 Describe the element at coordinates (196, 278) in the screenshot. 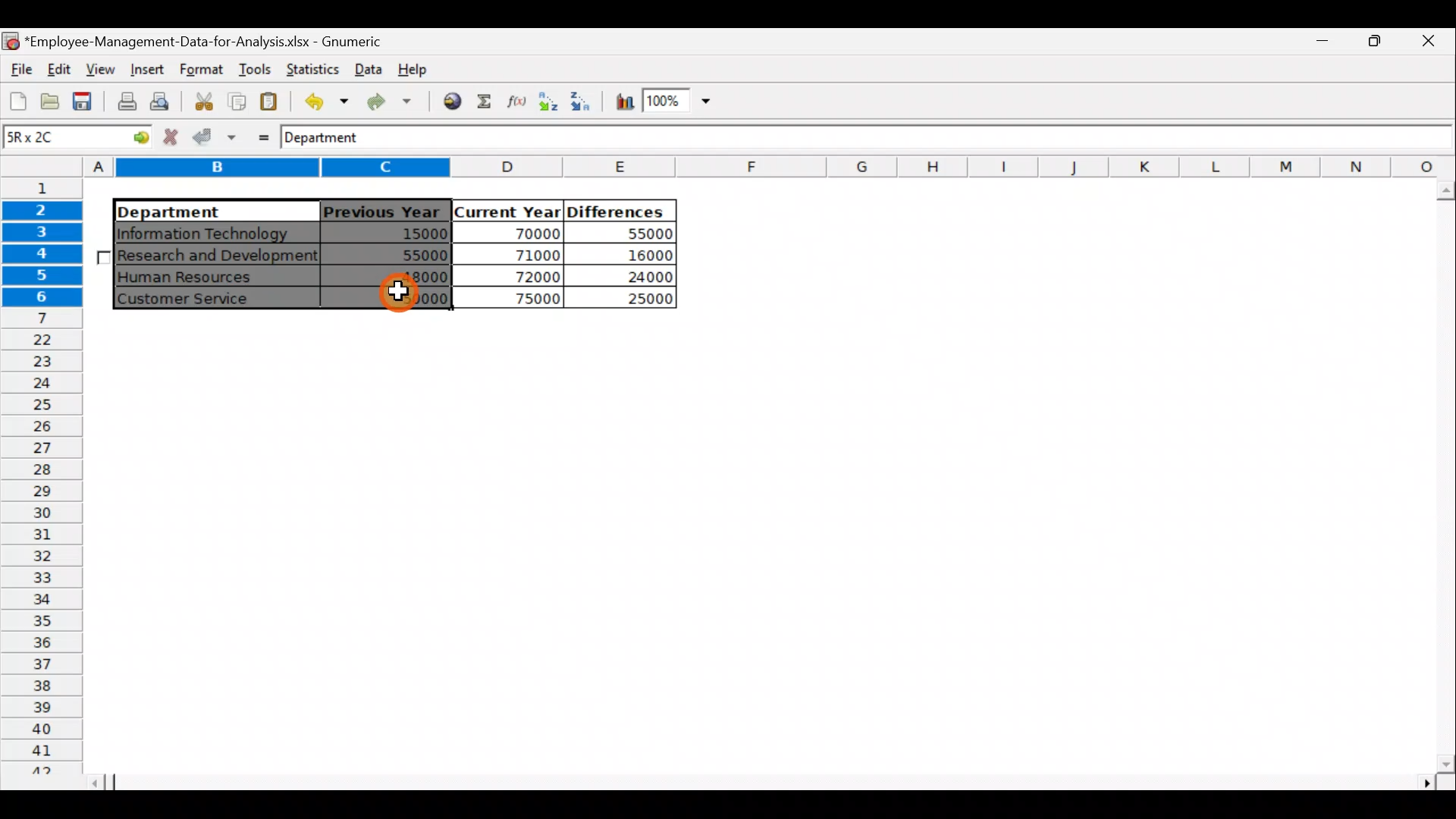

I see `Human Resources` at that location.